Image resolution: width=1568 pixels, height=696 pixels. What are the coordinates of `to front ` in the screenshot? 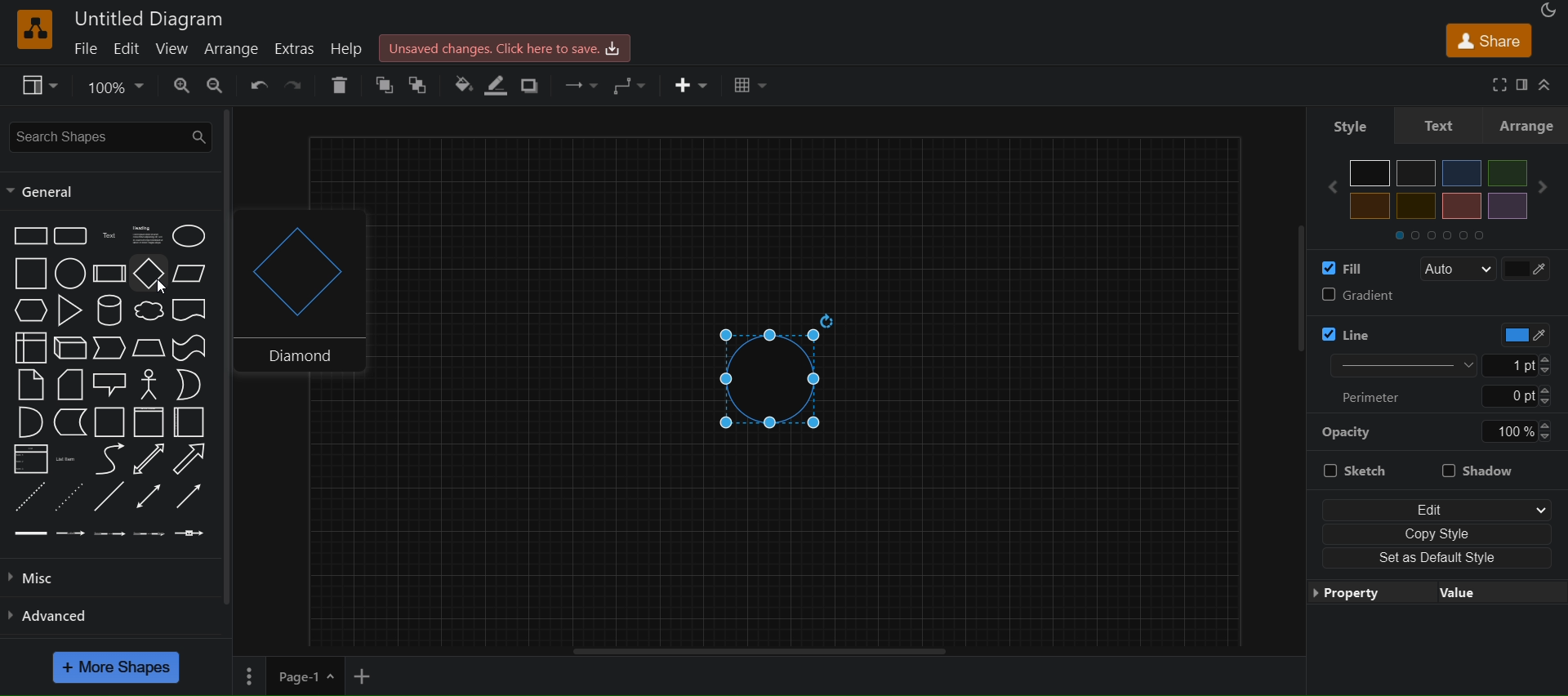 It's located at (417, 84).